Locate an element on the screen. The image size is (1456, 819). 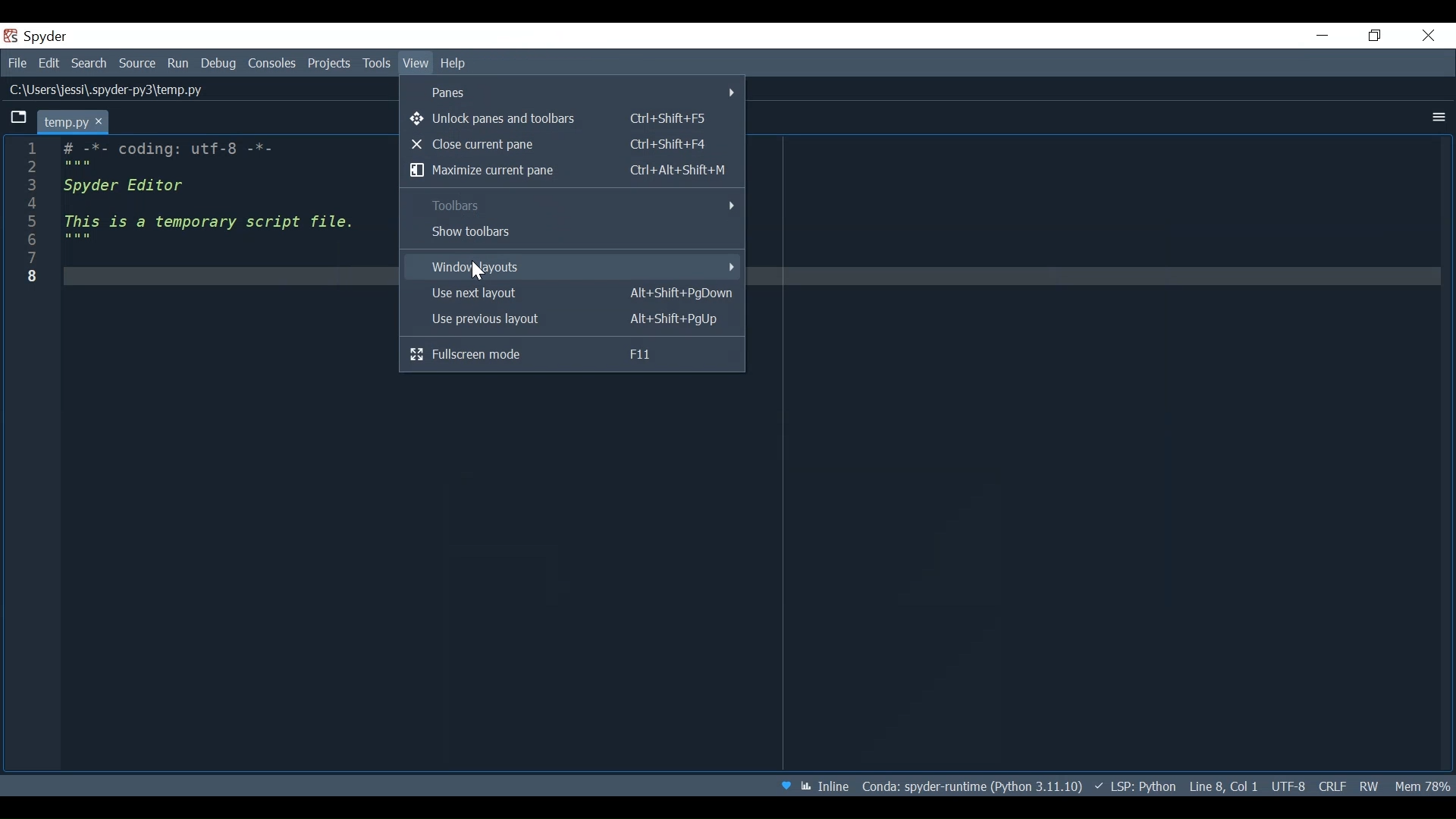
View is located at coordinates (416, 64).